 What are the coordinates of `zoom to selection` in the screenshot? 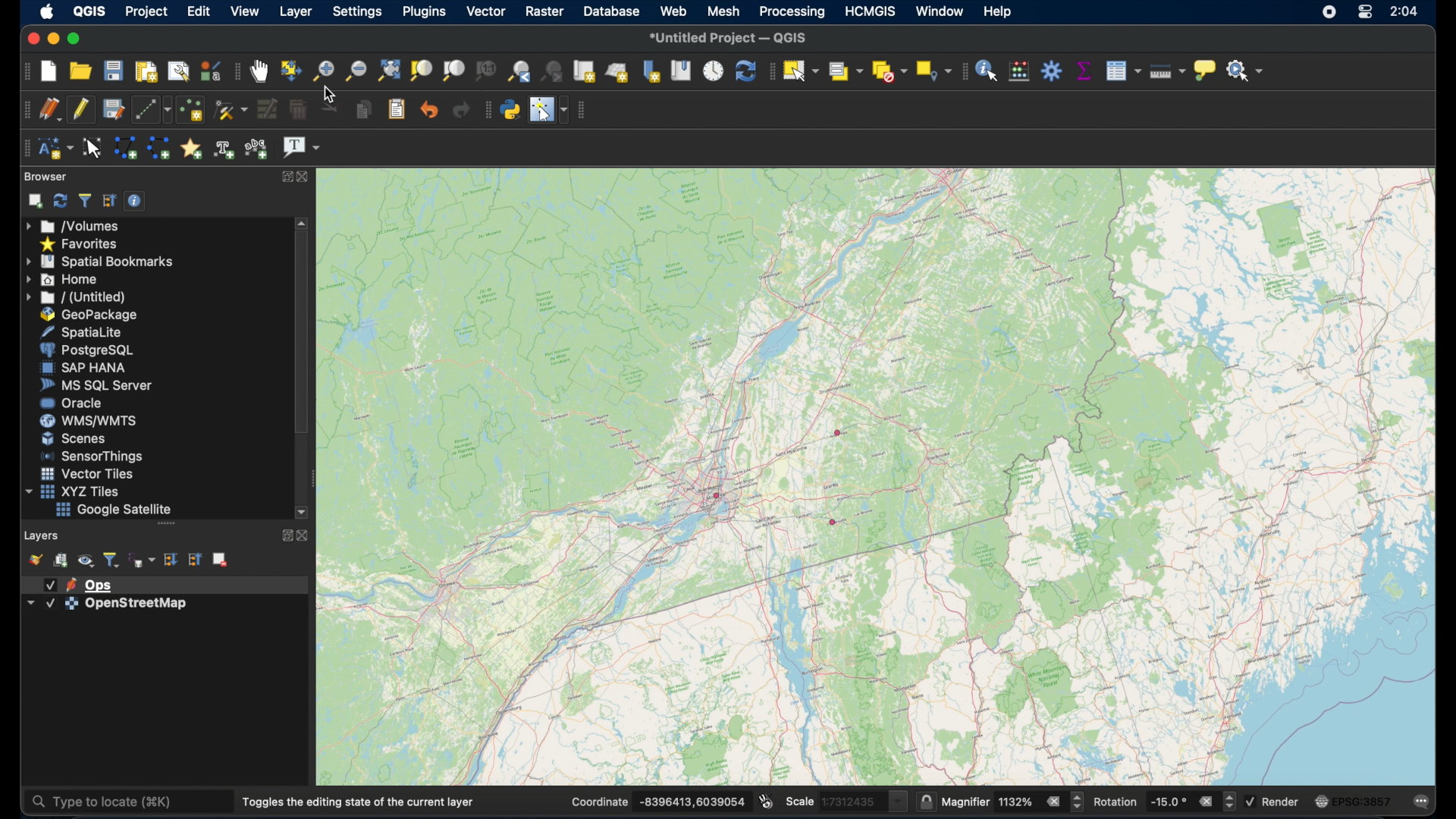 It's located at (421, 71).